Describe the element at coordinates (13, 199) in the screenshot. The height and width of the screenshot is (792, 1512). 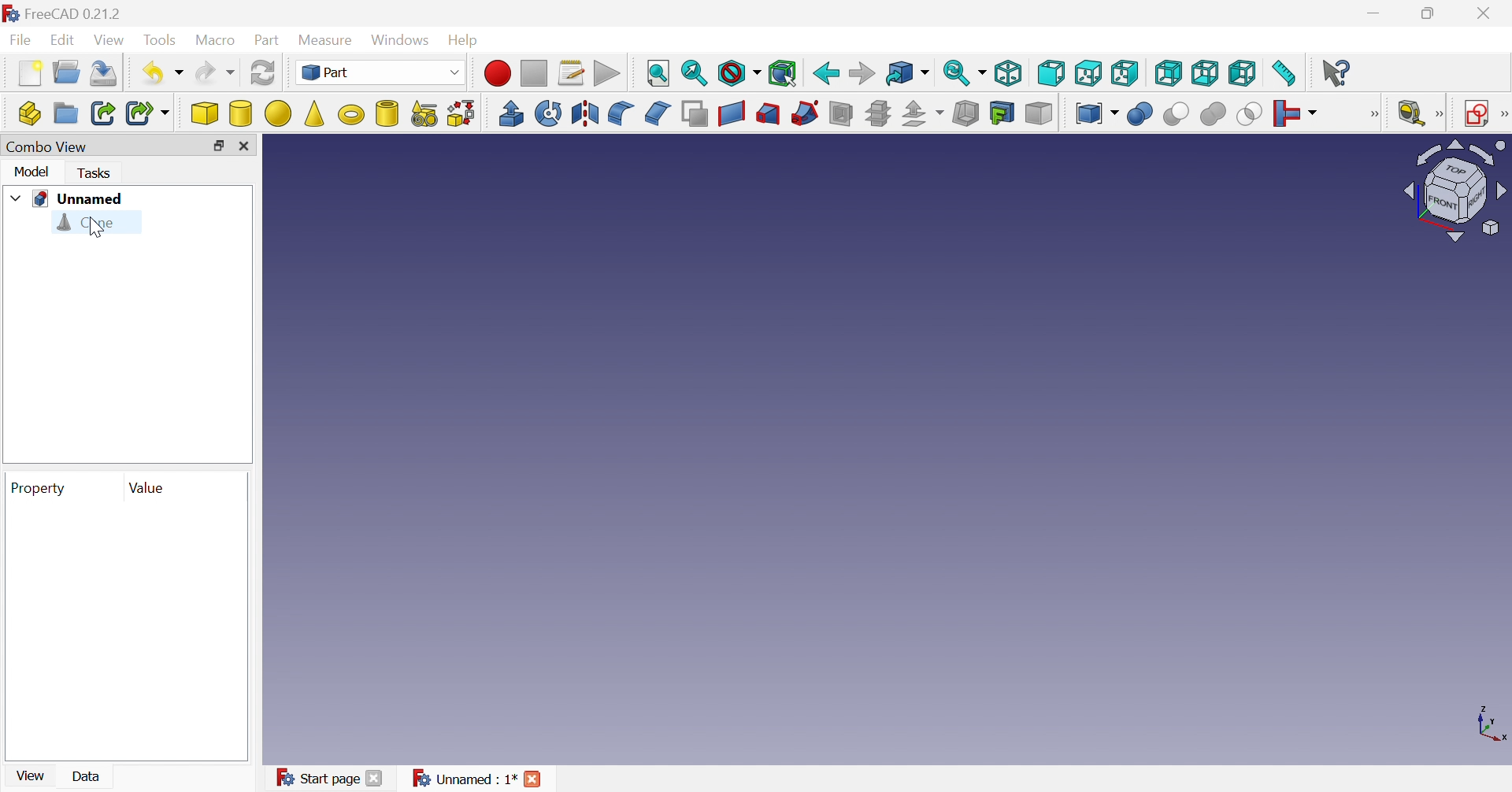
I see `Drop down` at that location.